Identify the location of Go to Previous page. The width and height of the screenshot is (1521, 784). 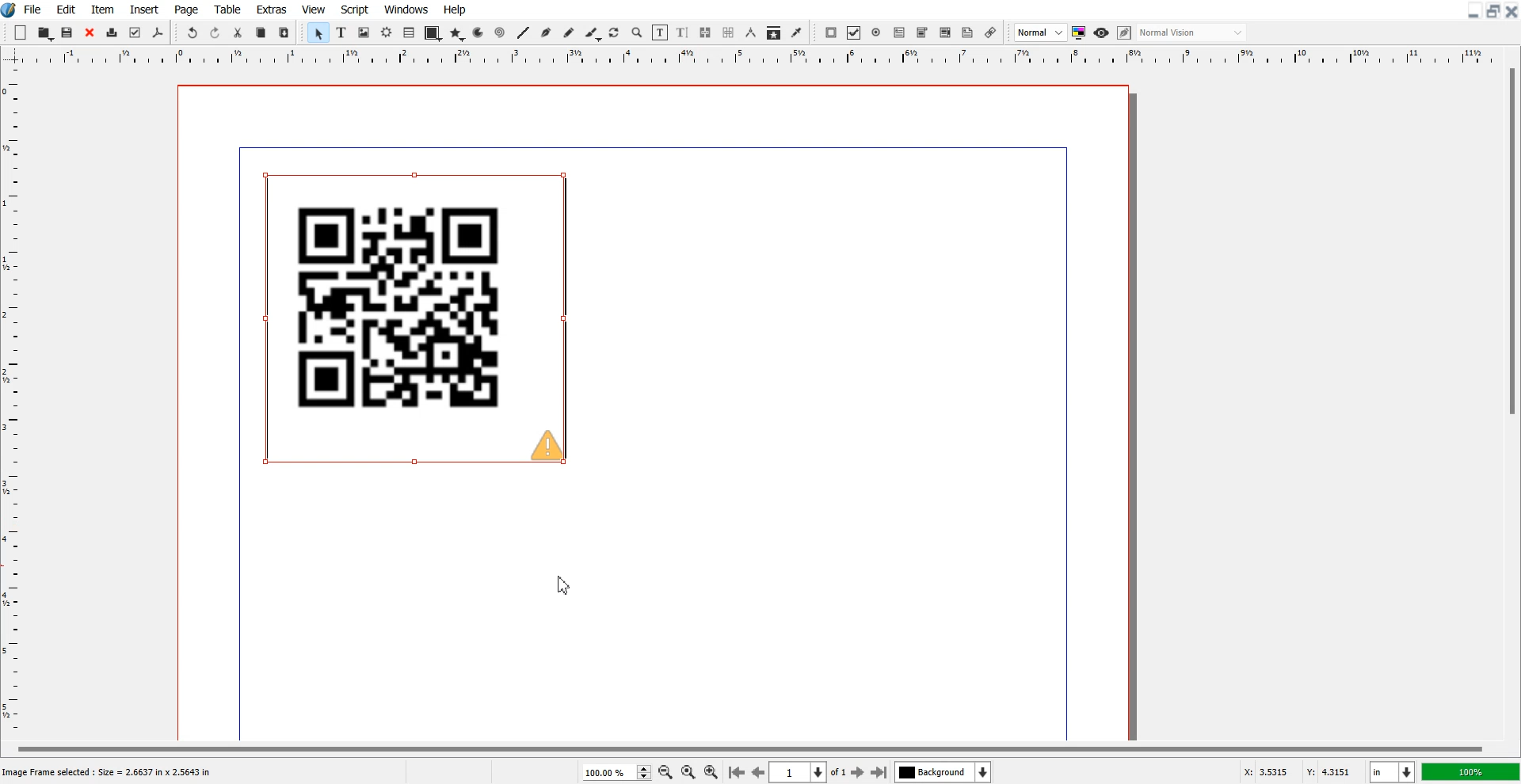
(757, 772).